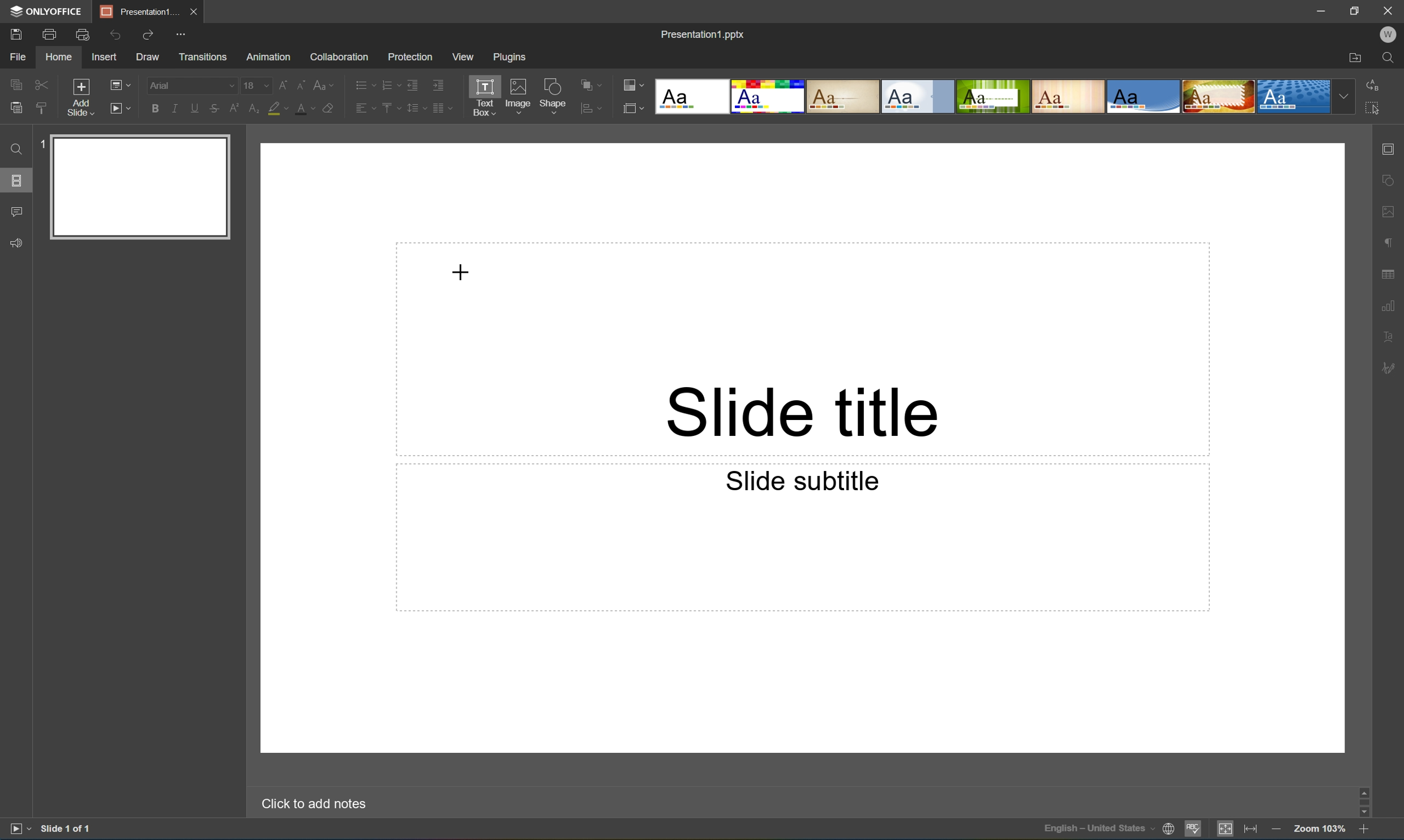 The image size is (1404, 840). Describe the element at coordinates (1361, 799) in the screenshot. I see `Scroll Bar` at that location.